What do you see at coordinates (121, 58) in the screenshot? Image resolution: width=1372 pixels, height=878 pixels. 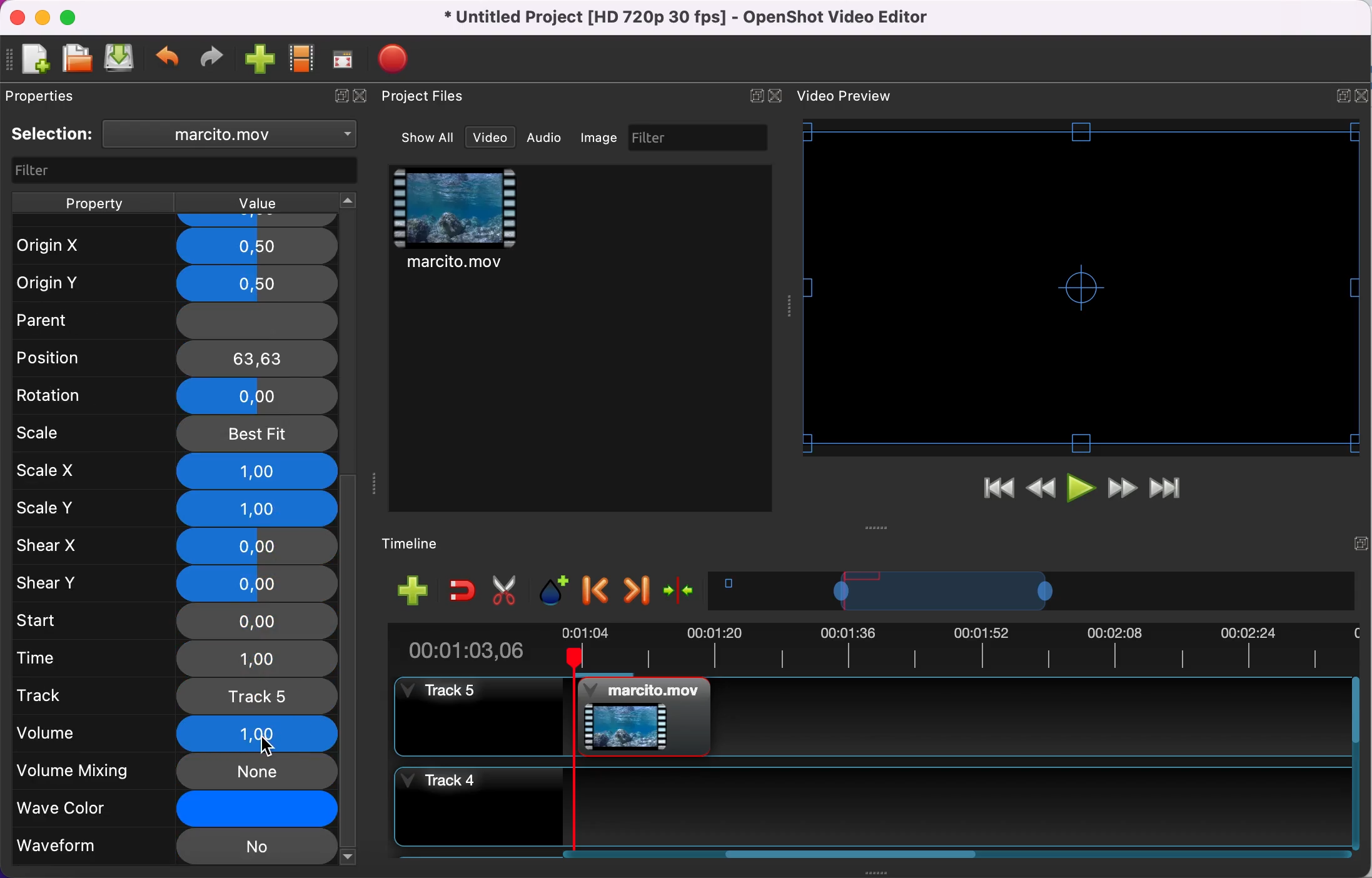 I see `save file` at bounding box center [121, 58].